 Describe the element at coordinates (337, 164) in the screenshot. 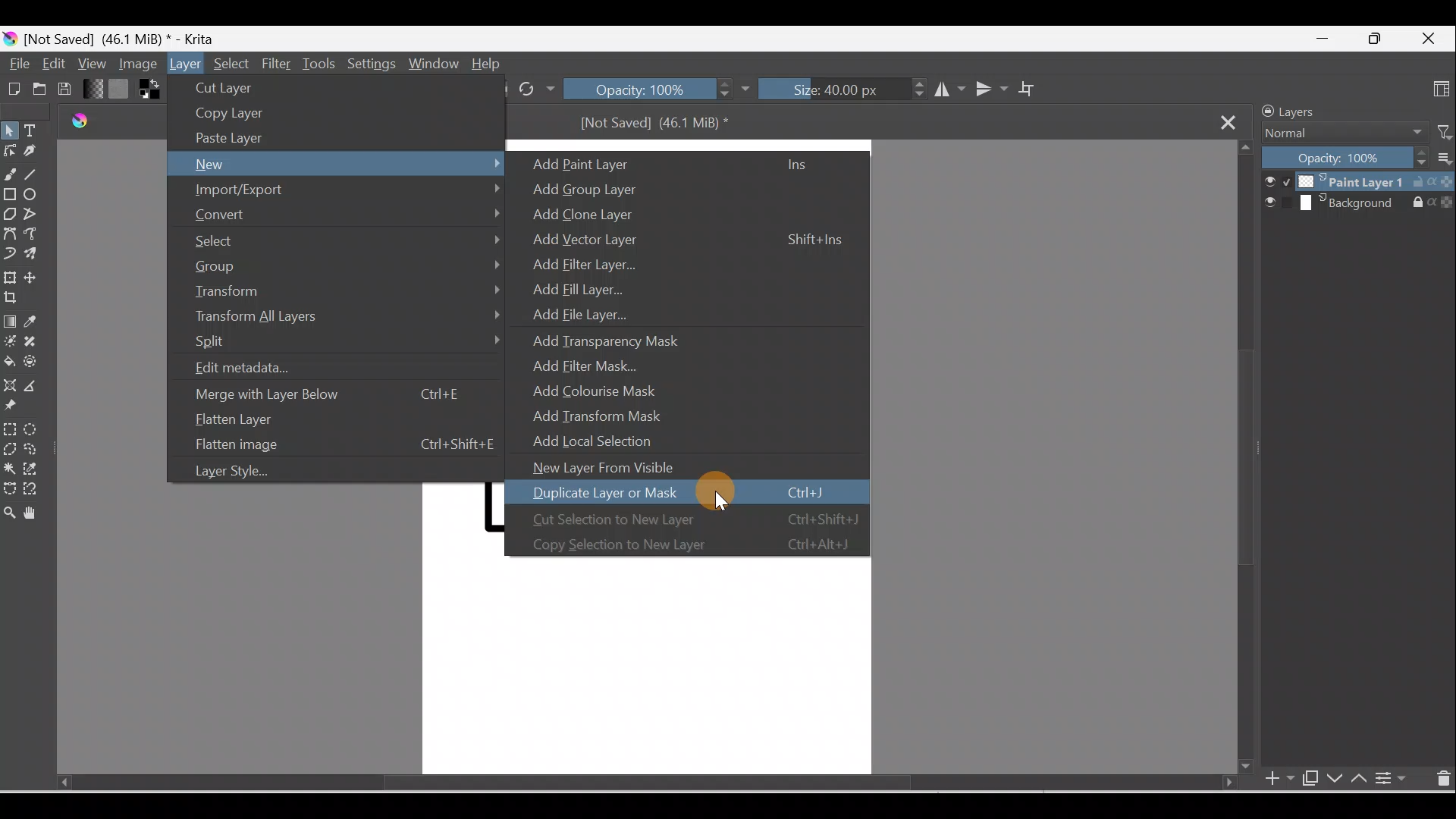

I see `New` at that location.